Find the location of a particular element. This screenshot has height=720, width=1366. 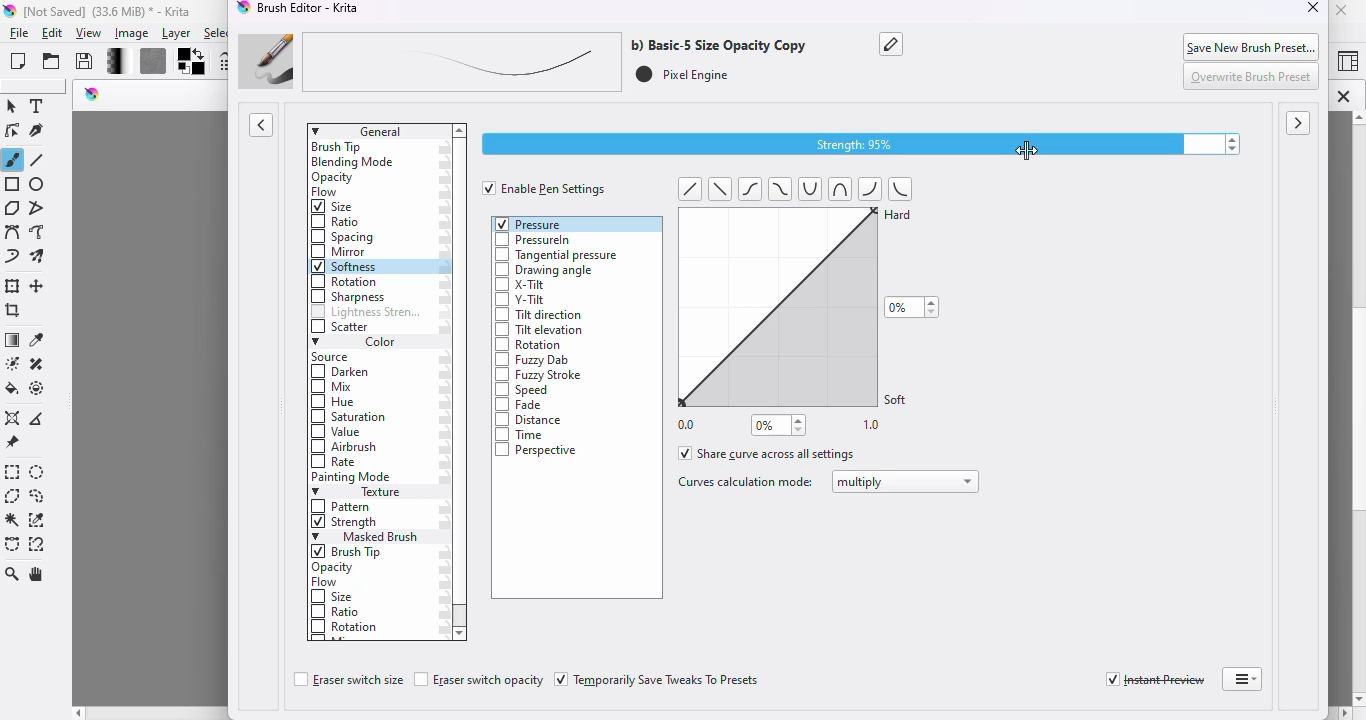

zoom tool is located at coordinates (13, 574).